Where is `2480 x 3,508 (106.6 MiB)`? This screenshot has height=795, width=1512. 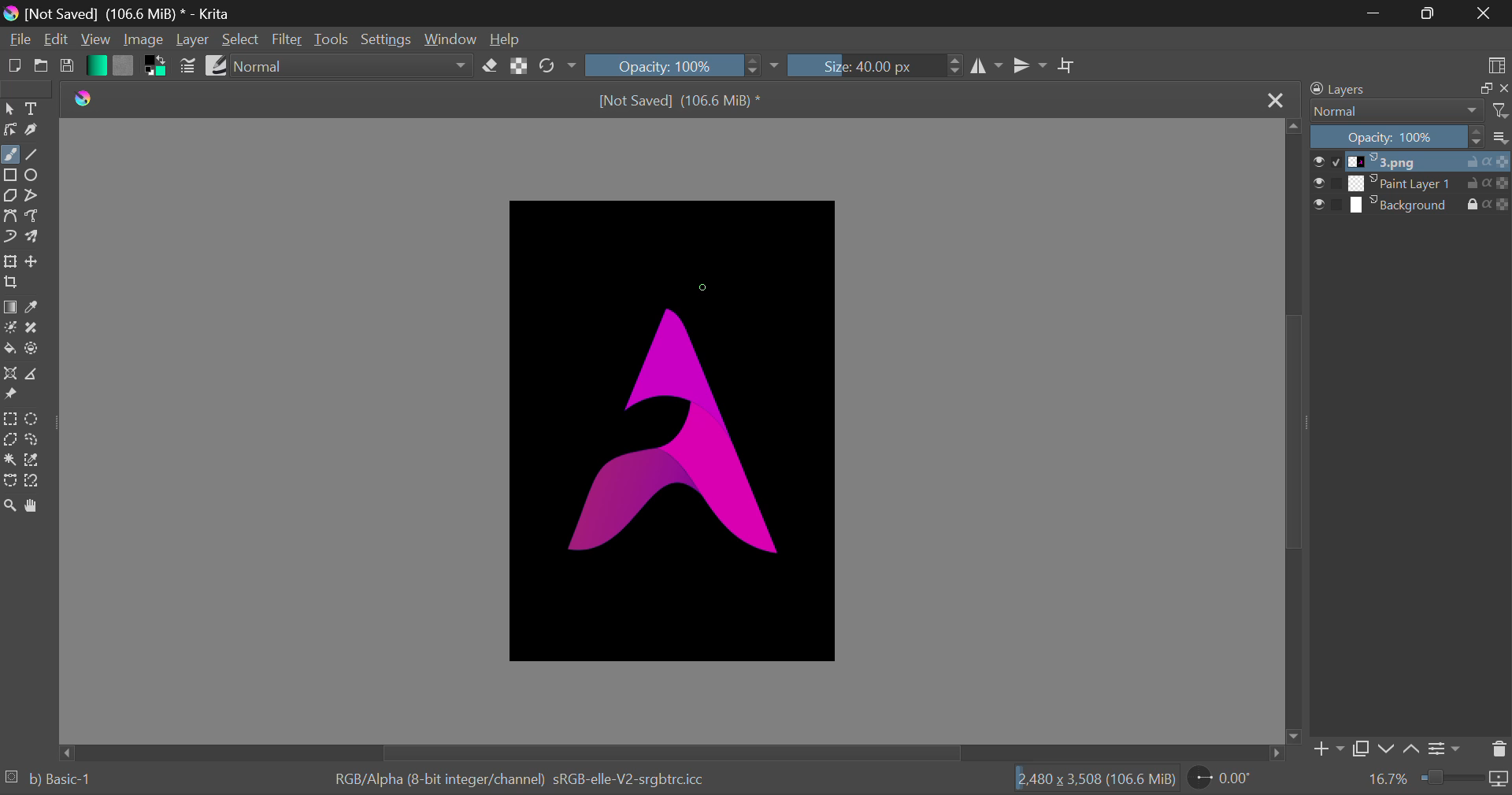
2480 x 3,508 (106.6 MiB) is located at coordinates (1089, 782).